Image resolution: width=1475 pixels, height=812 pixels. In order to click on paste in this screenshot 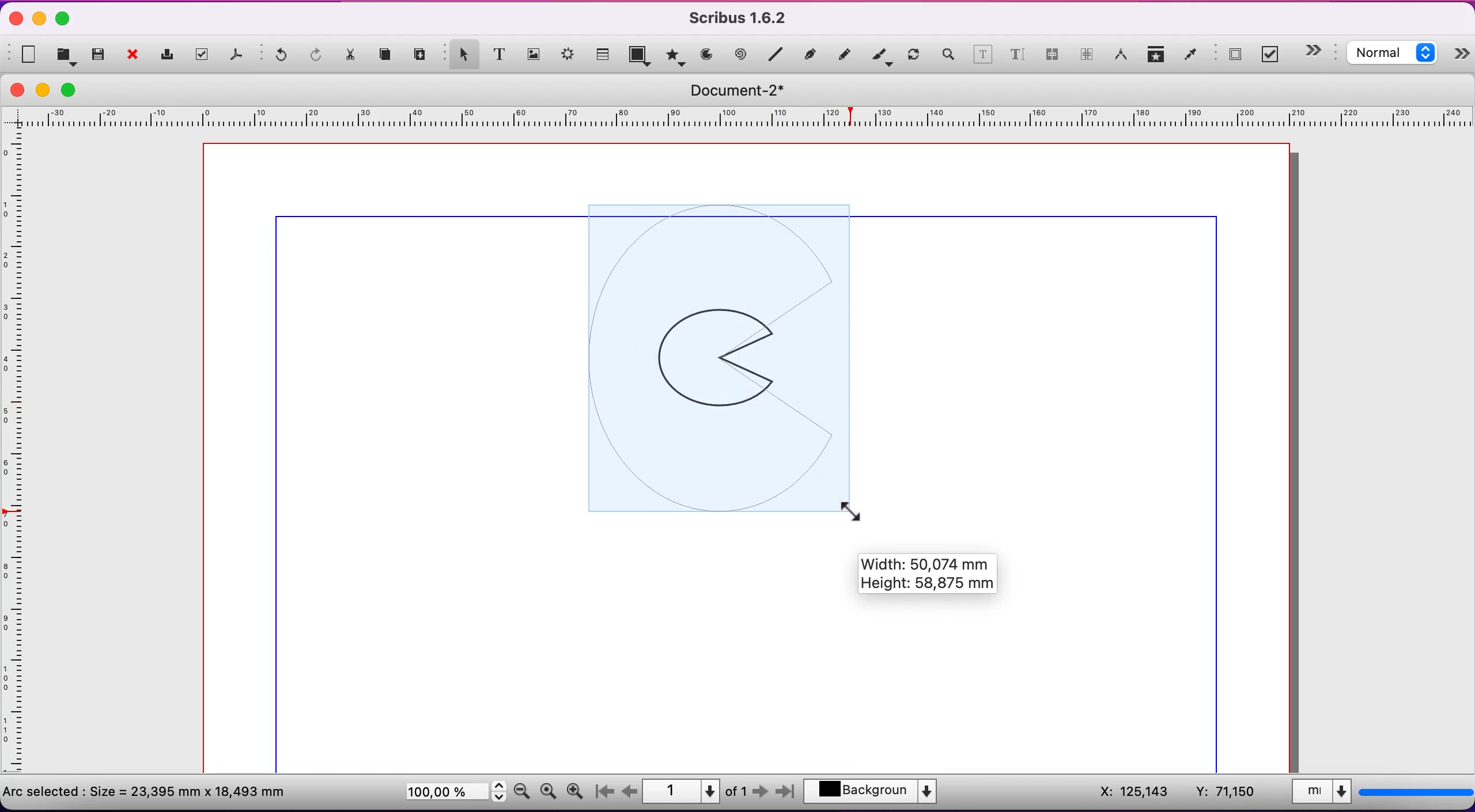, I will do `click(422, 55)`.